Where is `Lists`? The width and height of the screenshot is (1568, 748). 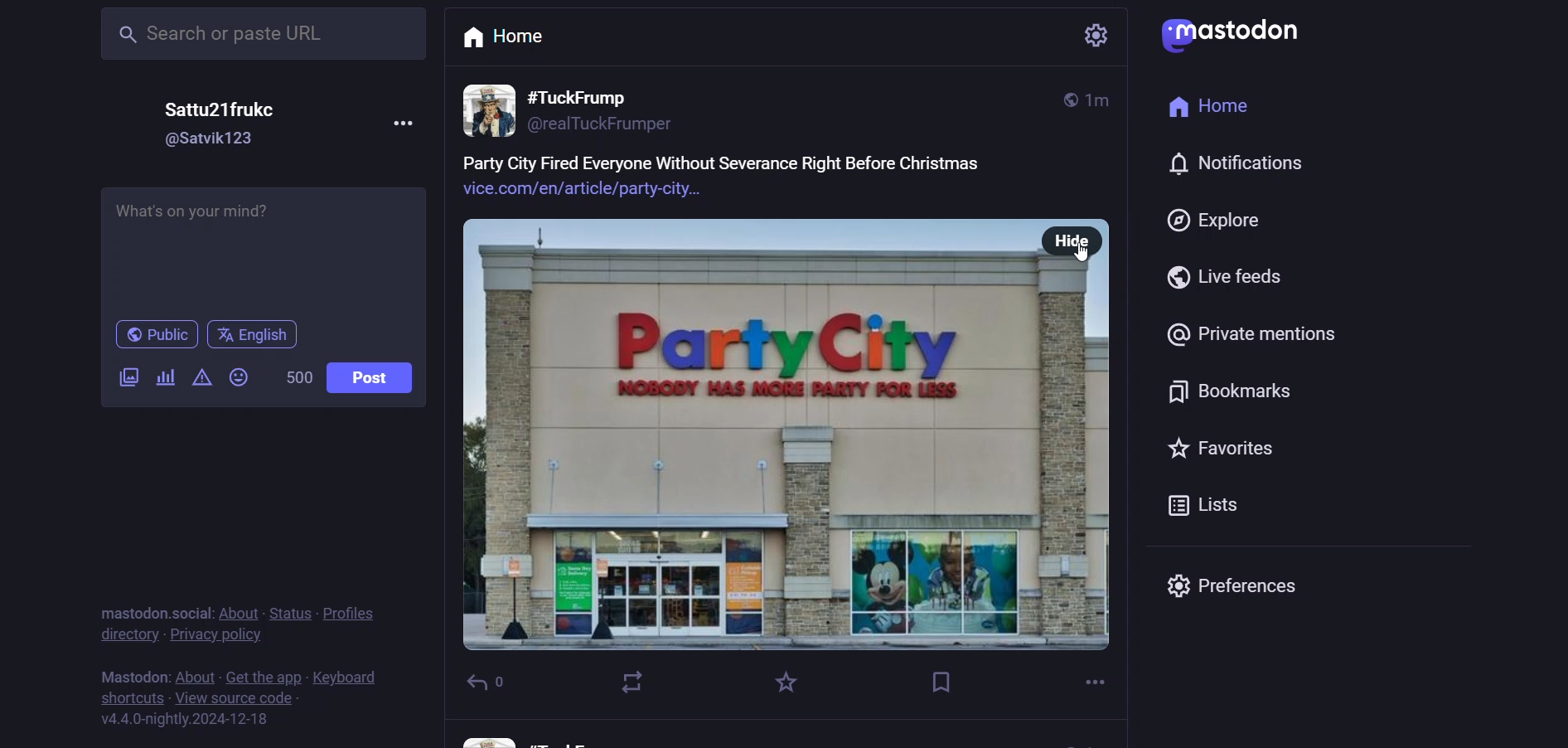
Lists is located at coordinates (1204, 507).